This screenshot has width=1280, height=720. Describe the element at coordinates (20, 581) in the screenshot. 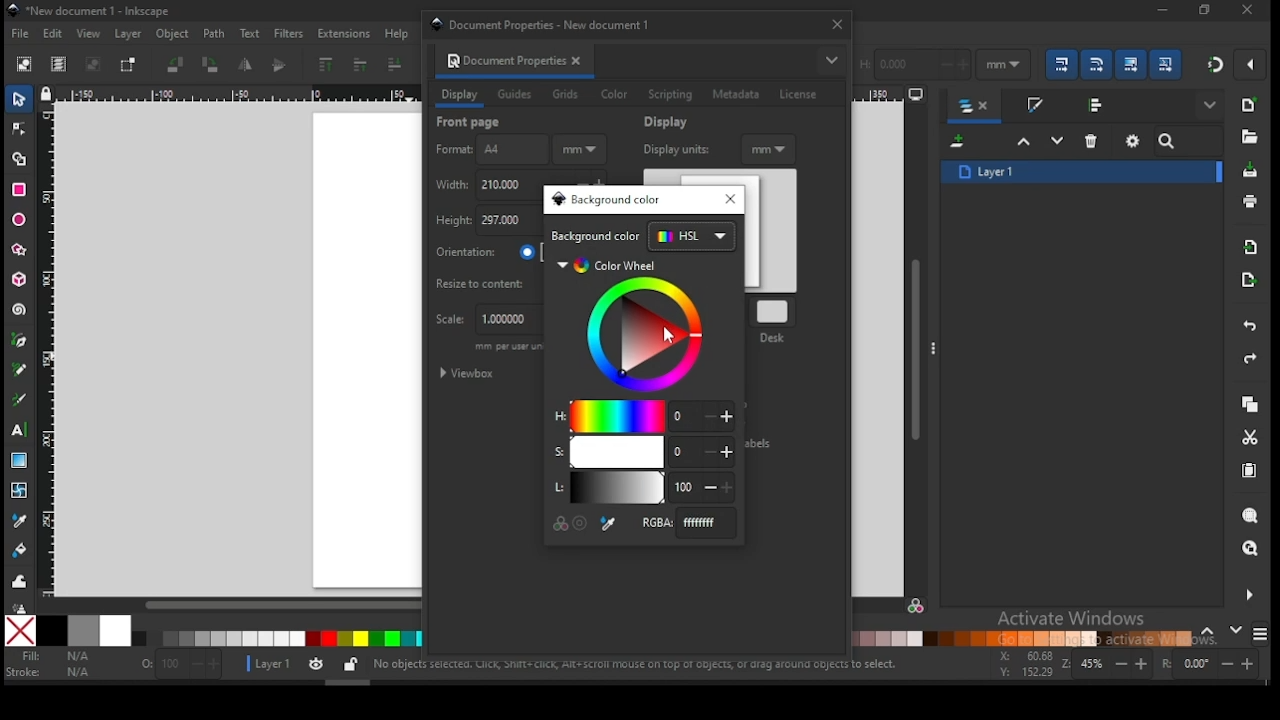

I see `tweak tool` at that location.